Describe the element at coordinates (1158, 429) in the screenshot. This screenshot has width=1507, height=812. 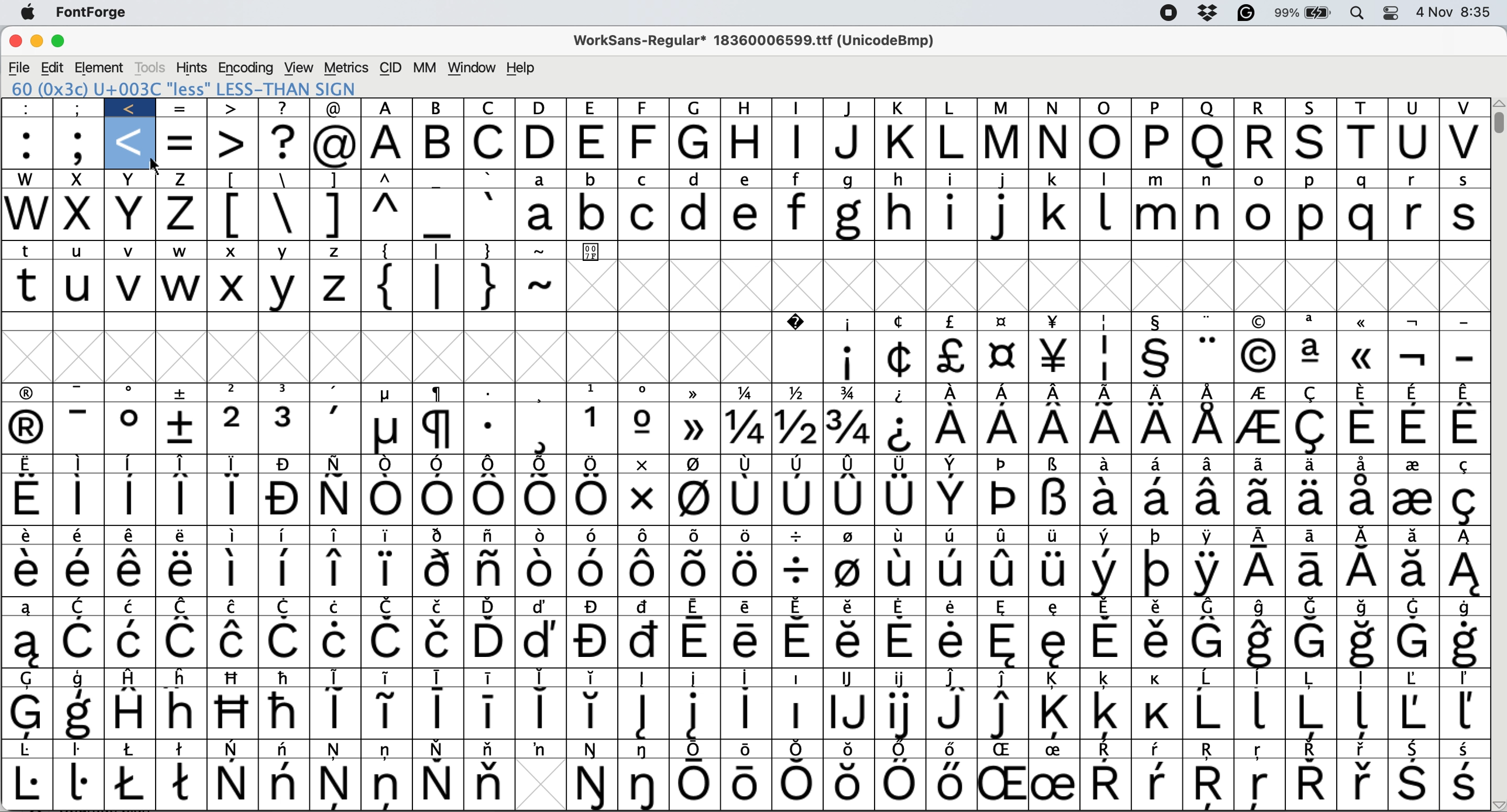
I see `Symbol` at that location.